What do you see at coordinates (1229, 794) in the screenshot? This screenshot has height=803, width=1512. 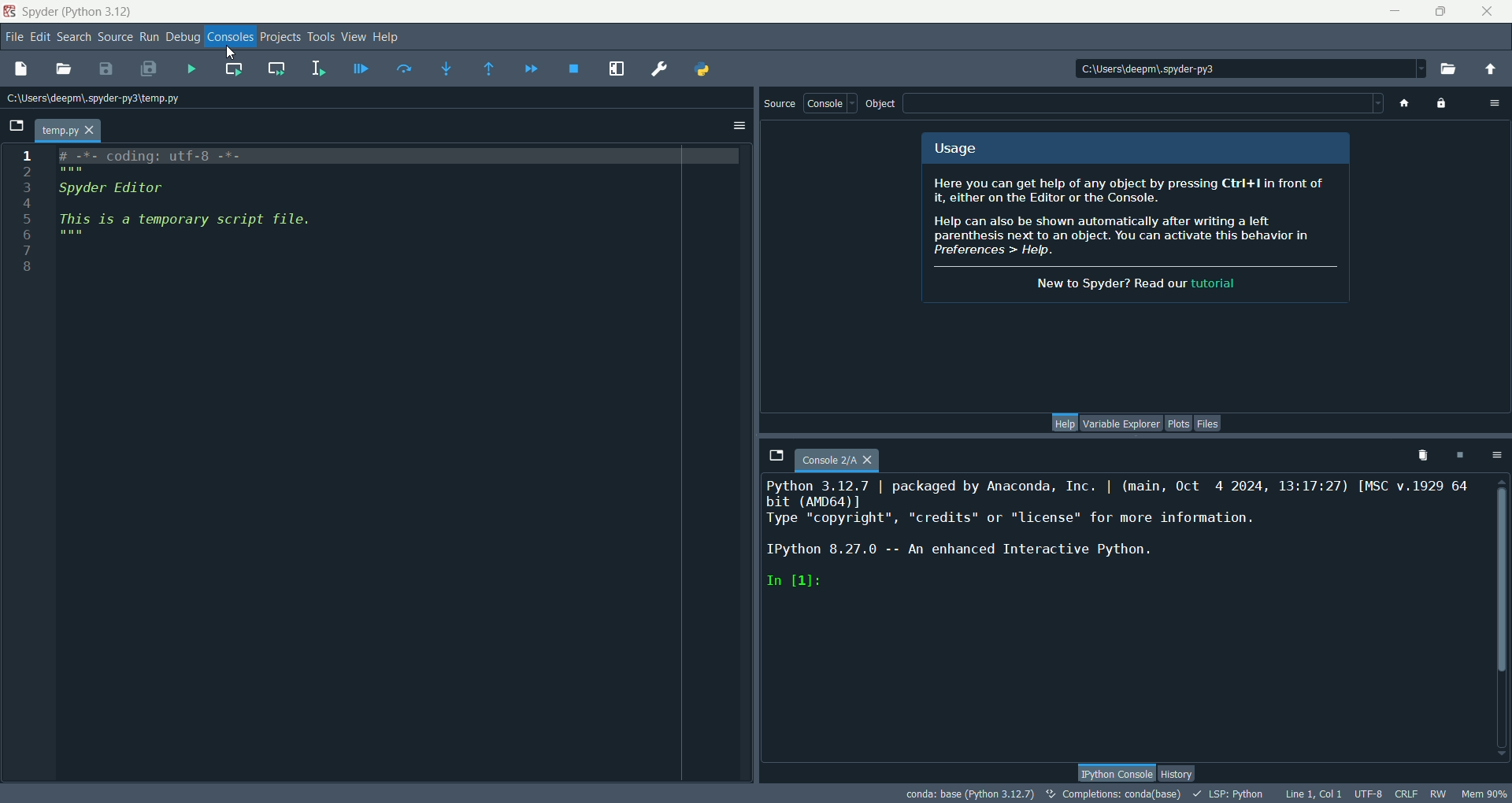 I see `LSP:Python` at bounding box center [1229, 794].